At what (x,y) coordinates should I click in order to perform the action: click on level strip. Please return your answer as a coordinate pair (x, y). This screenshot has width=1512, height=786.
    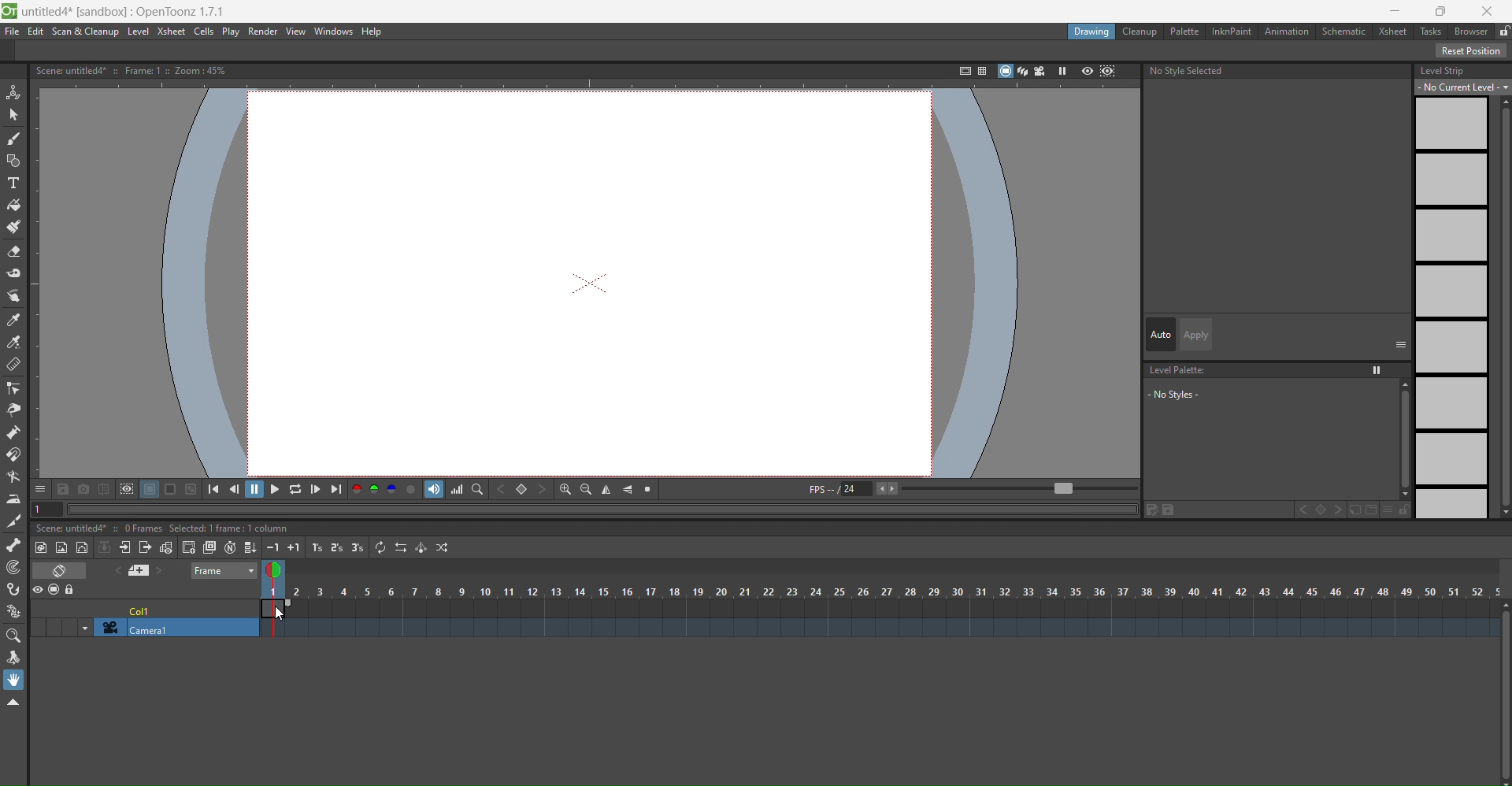
    Looking at the image, I should click on (1443, 70).